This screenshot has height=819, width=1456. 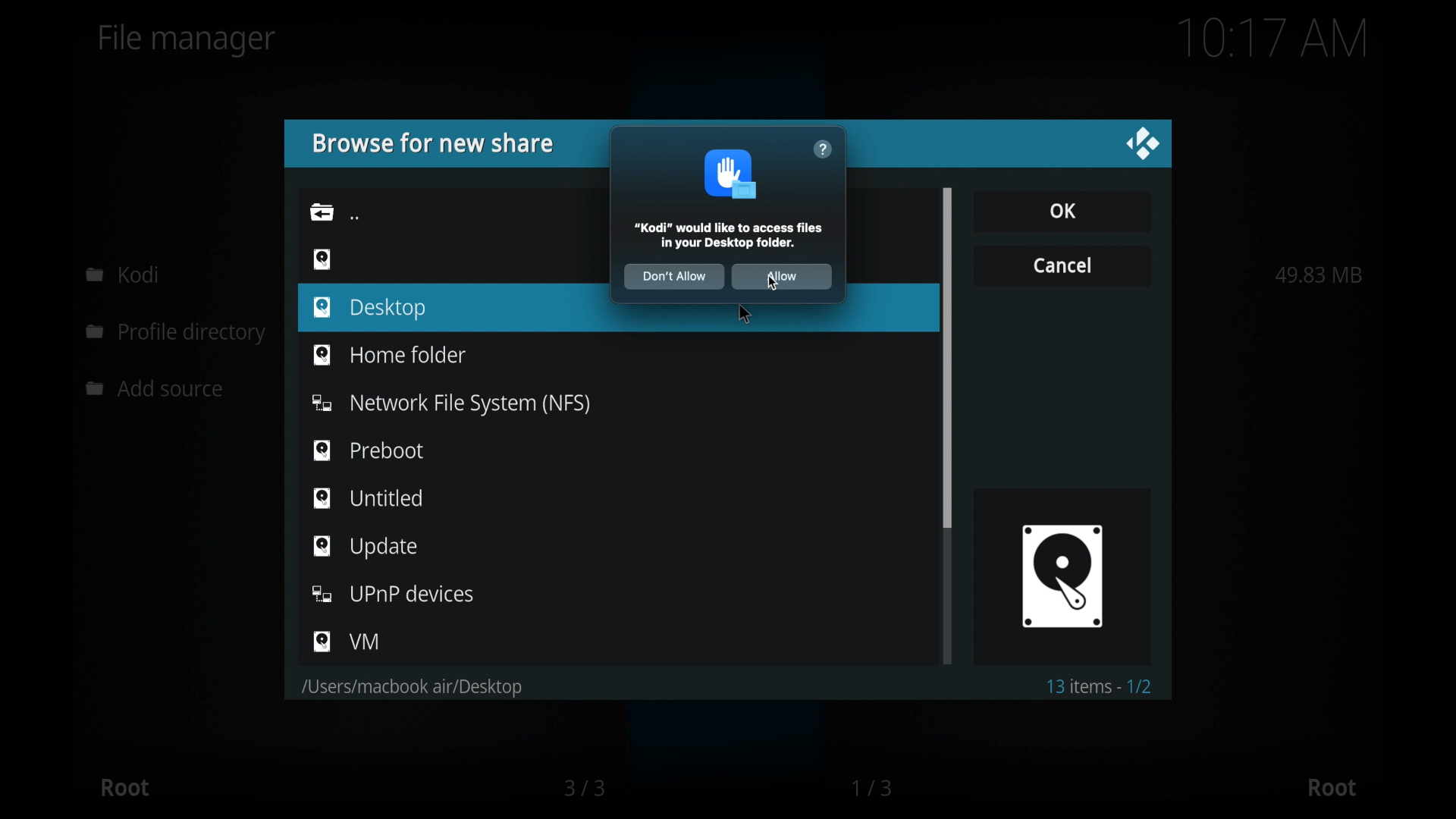 What do you see at coordinates (742, 314) in the screenshot?
I see `cursor` at bounding box center [742, 314].